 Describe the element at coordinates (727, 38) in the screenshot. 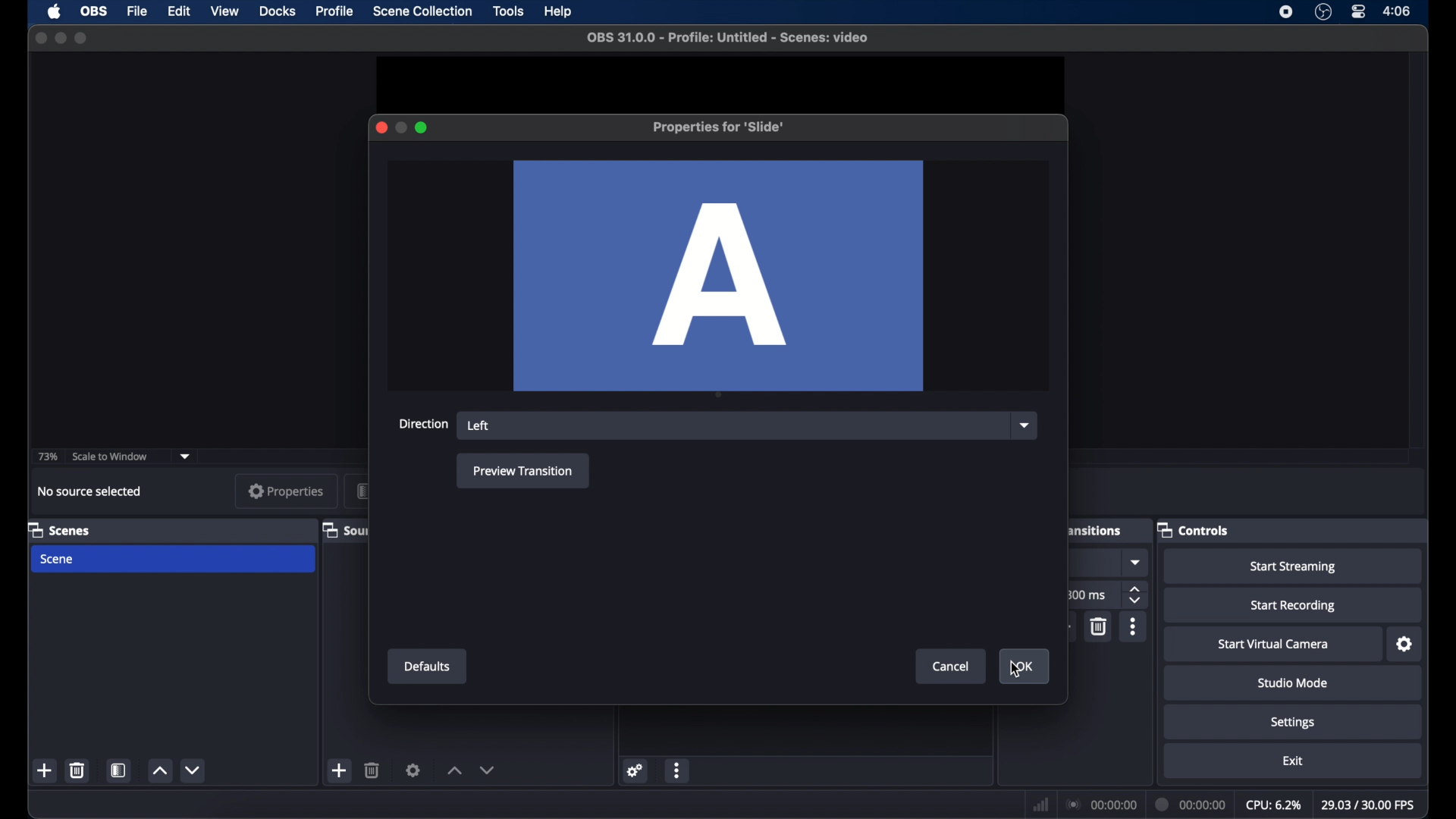

I see `file name` at that location.